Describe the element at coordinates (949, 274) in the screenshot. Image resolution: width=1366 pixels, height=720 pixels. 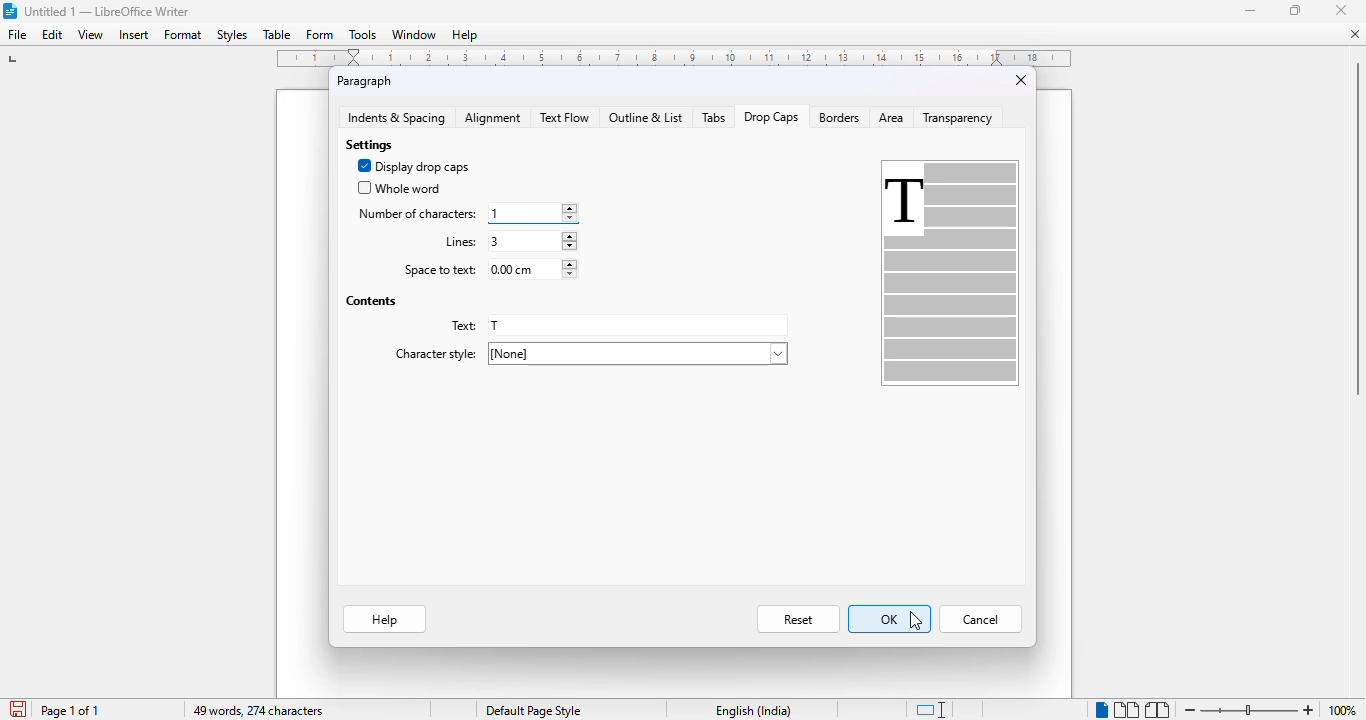
I see `preview of drop cap on first letter of the paragraph` at that location.